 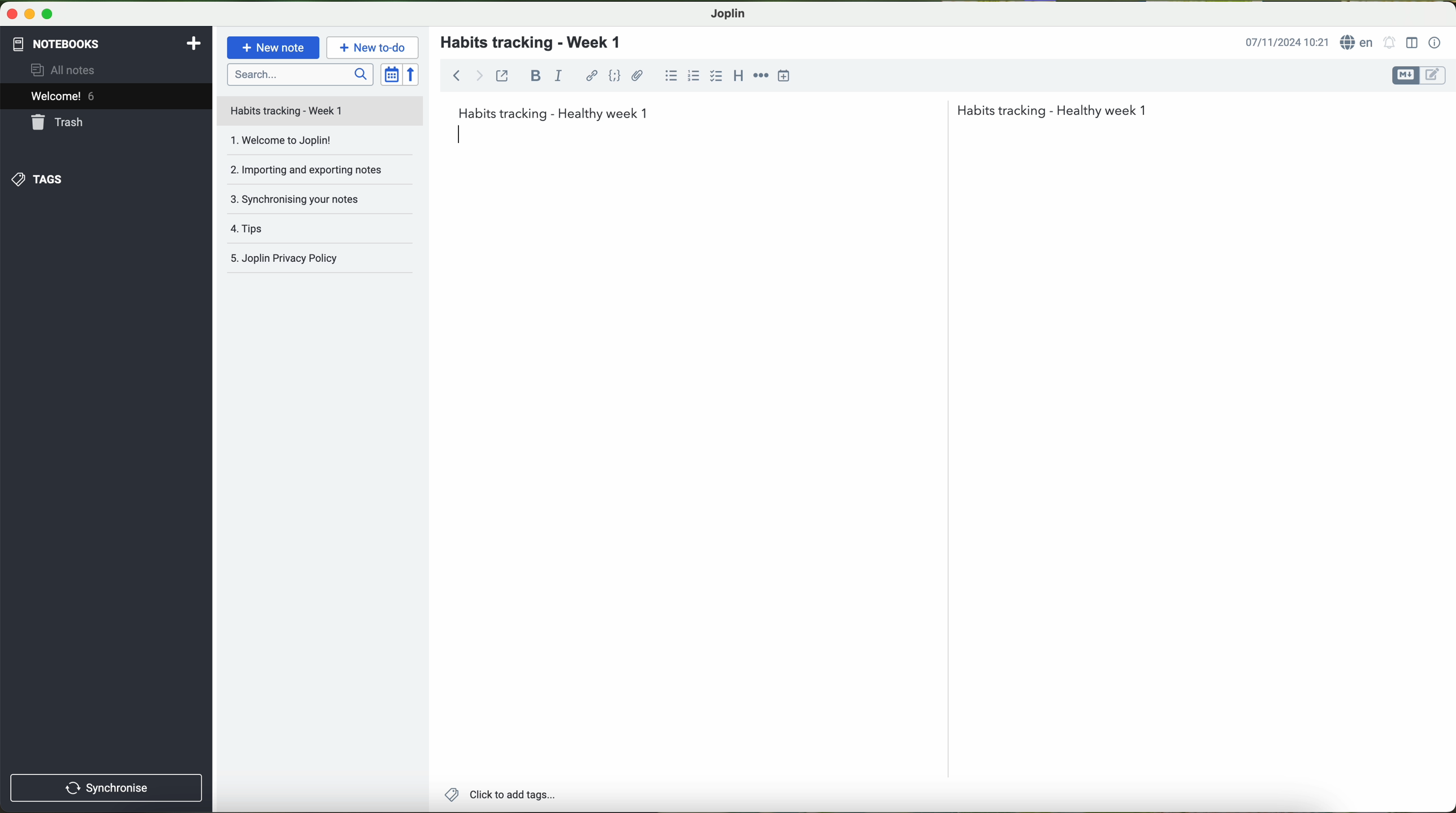 I want to click on attach file, so click(x=638, y=75).